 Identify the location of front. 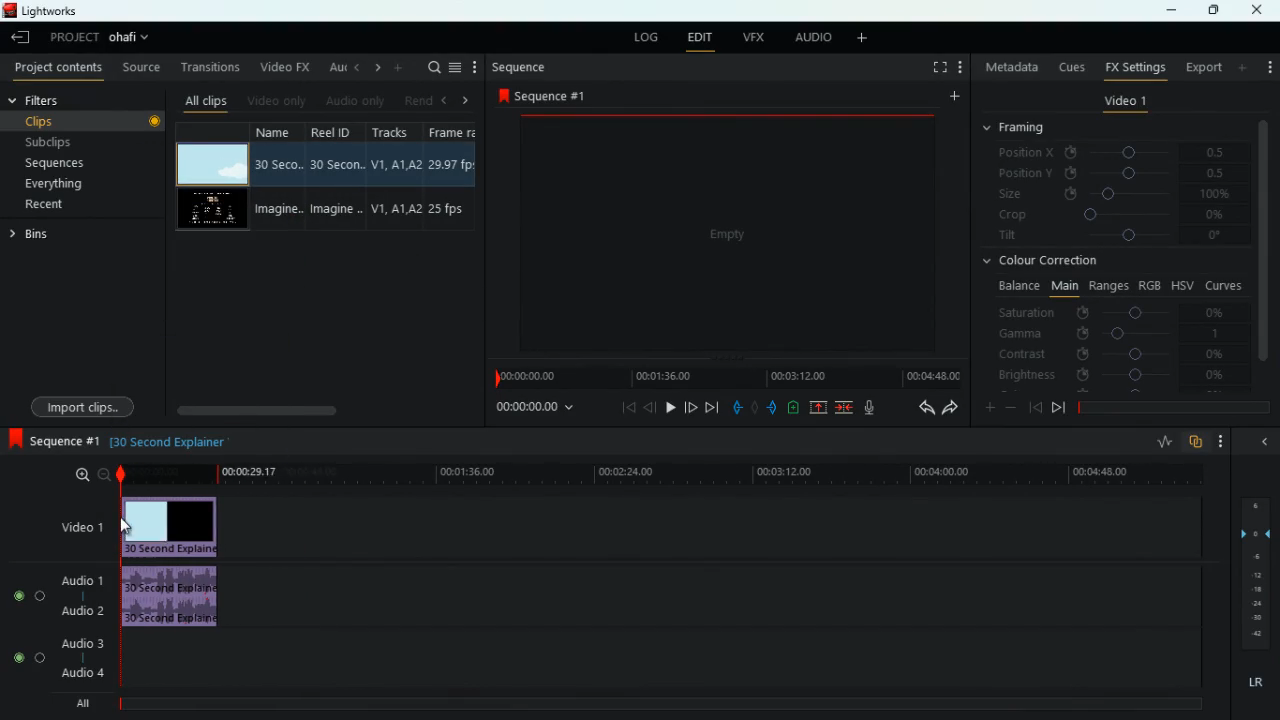
(692, 407).